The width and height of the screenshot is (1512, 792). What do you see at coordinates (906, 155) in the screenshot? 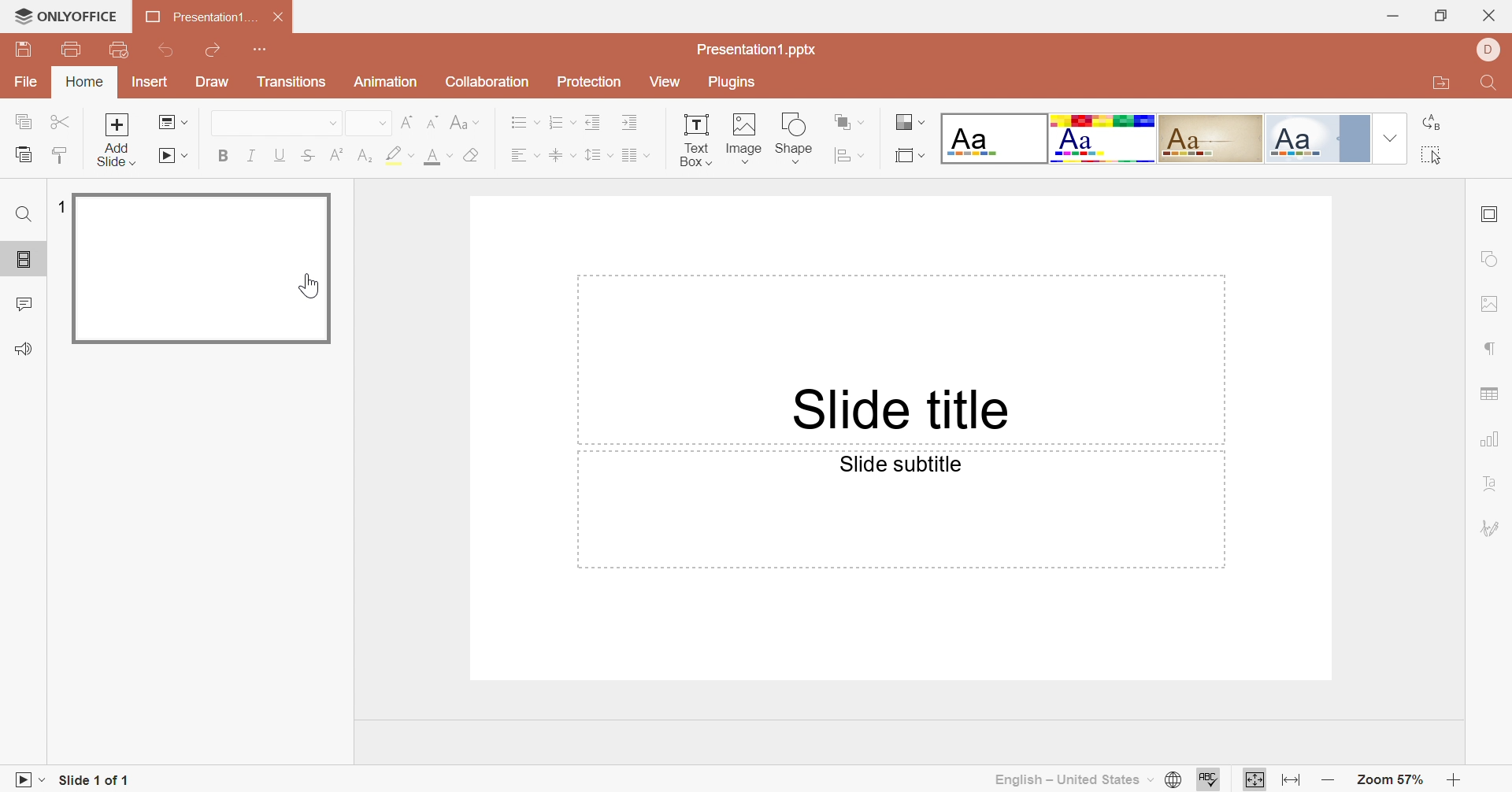
I see `Select Slide size` at bounding box center [906, 155].